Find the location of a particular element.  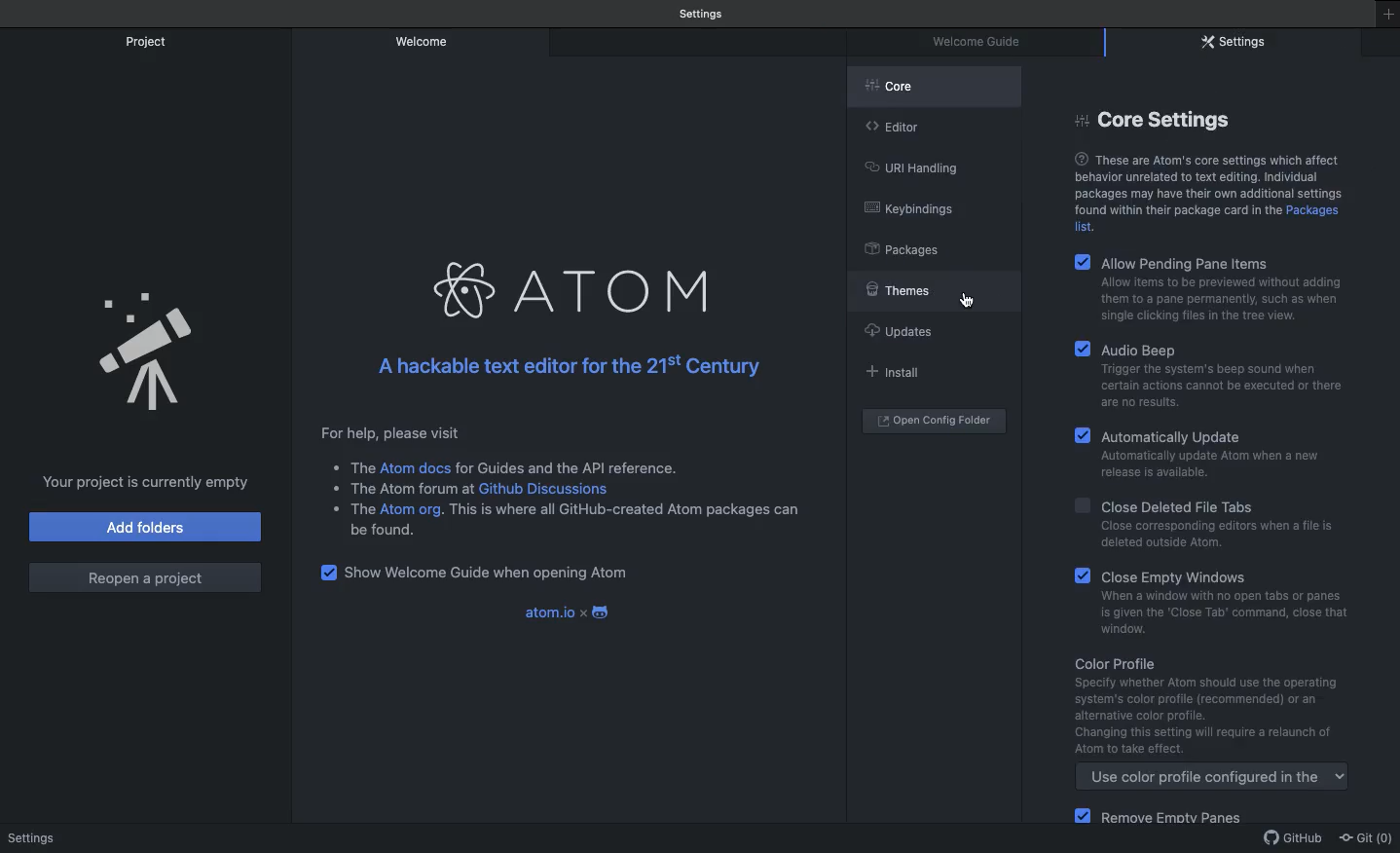

checkbox is located at coordinates (1084, 258).